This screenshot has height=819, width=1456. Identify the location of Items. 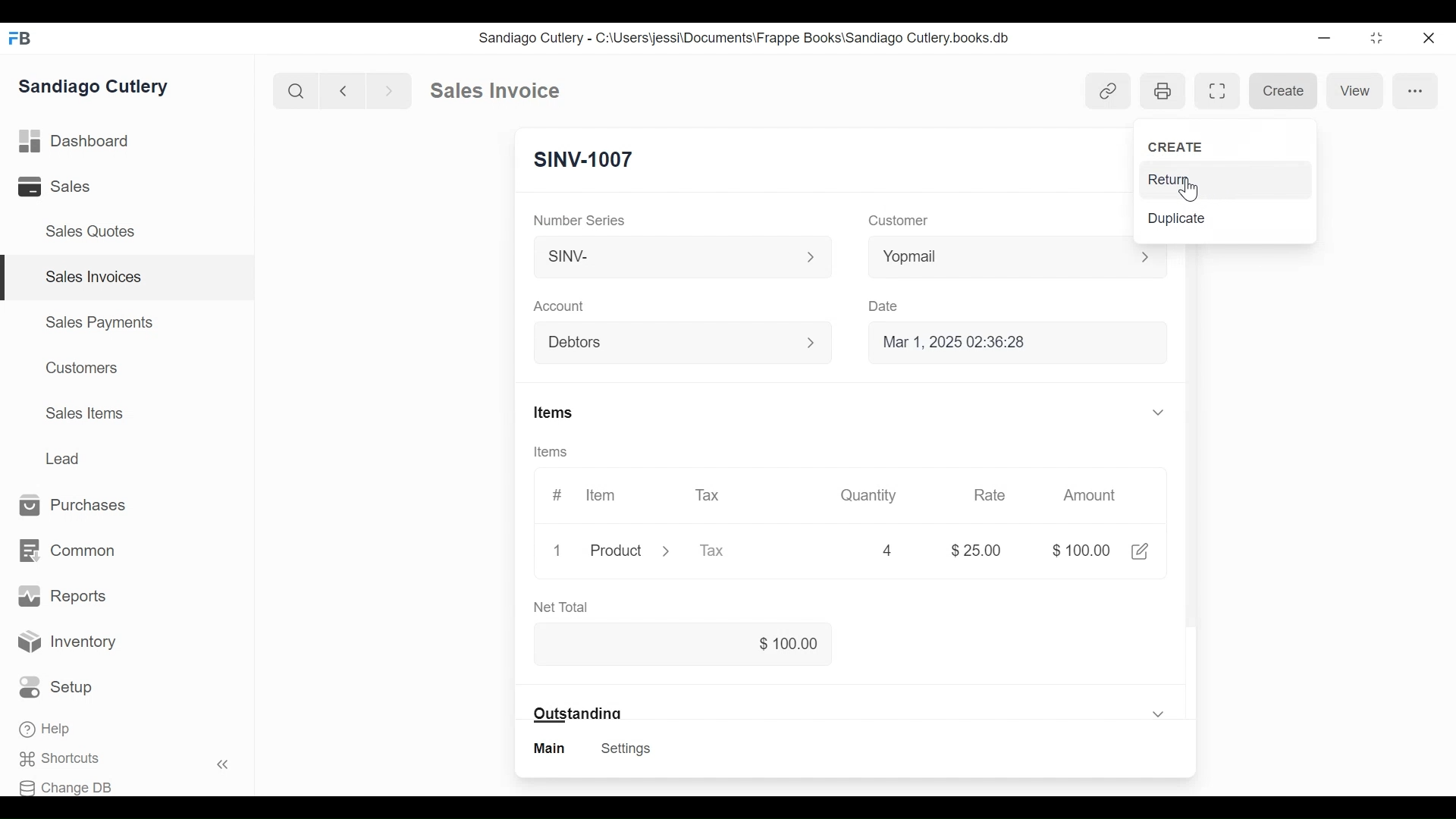
(551, 451).